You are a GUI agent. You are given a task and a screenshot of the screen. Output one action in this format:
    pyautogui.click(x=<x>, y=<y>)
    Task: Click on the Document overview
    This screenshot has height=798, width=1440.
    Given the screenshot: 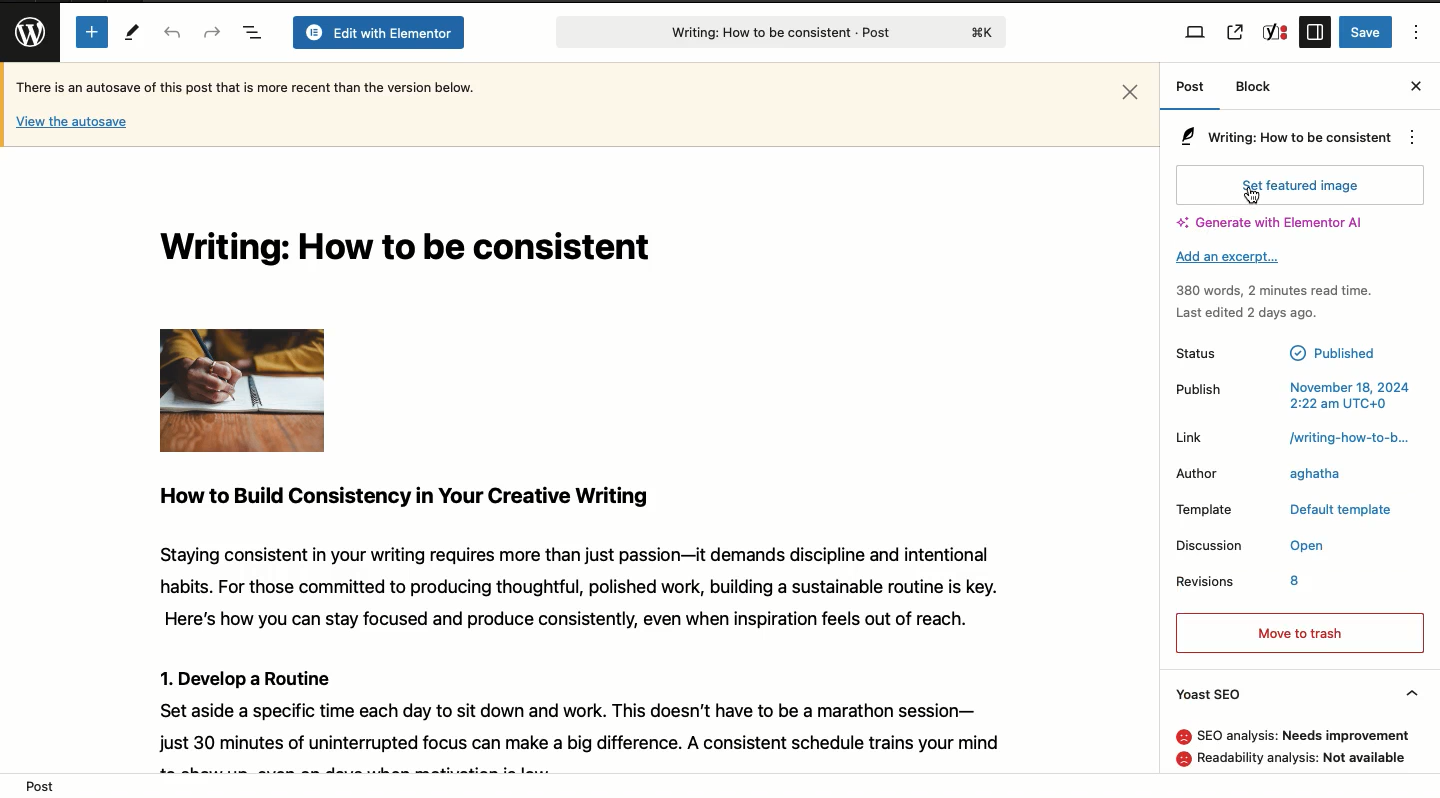 What is the action you would take?
    pyautogui.click(x=253, y=34)
    